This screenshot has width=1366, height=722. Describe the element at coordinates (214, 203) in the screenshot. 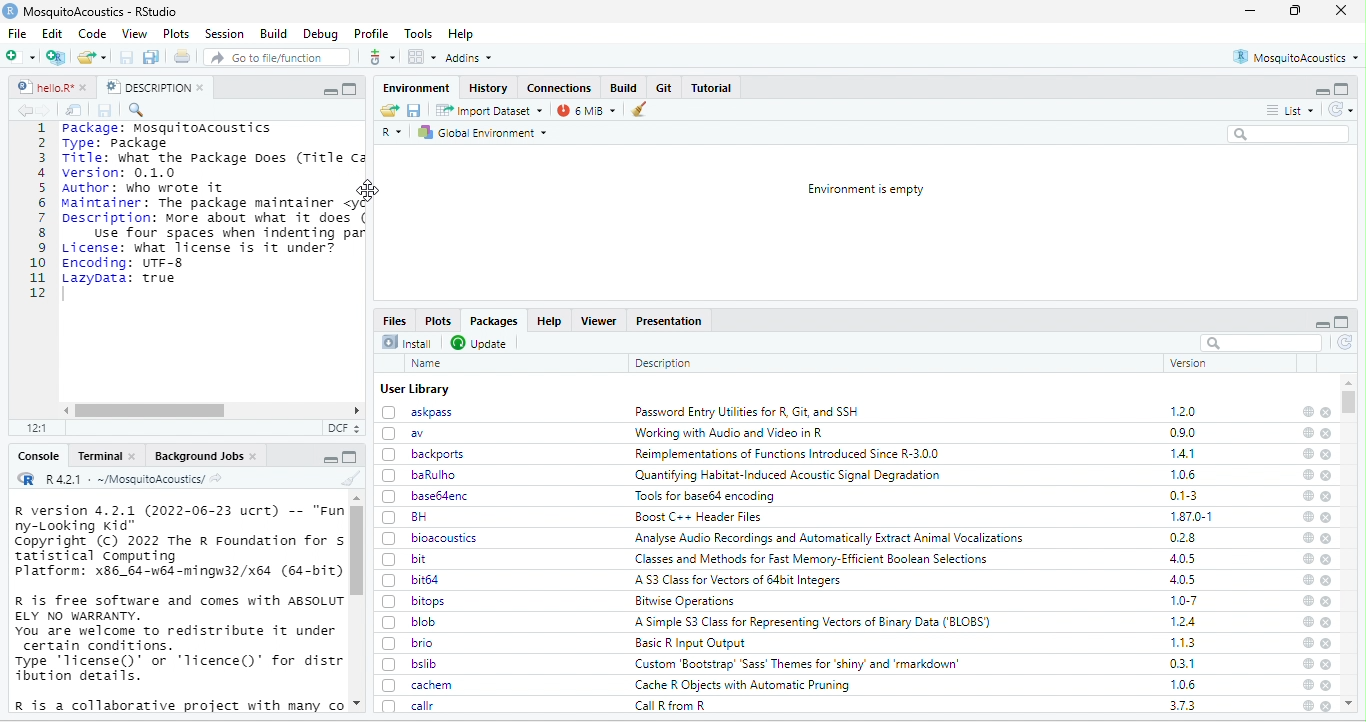

I see `Package: MosquitoAcoustics Type: PackageTitle: what the Package Does (Title Caversion: 0.1.0Author: who wrote it oMaintainer: The package maintainer <yDescription: More about what it doesUse four spaces when indenting parLicense: what license is it under?Encoding: UTF-8Lazypata: true` at that location.